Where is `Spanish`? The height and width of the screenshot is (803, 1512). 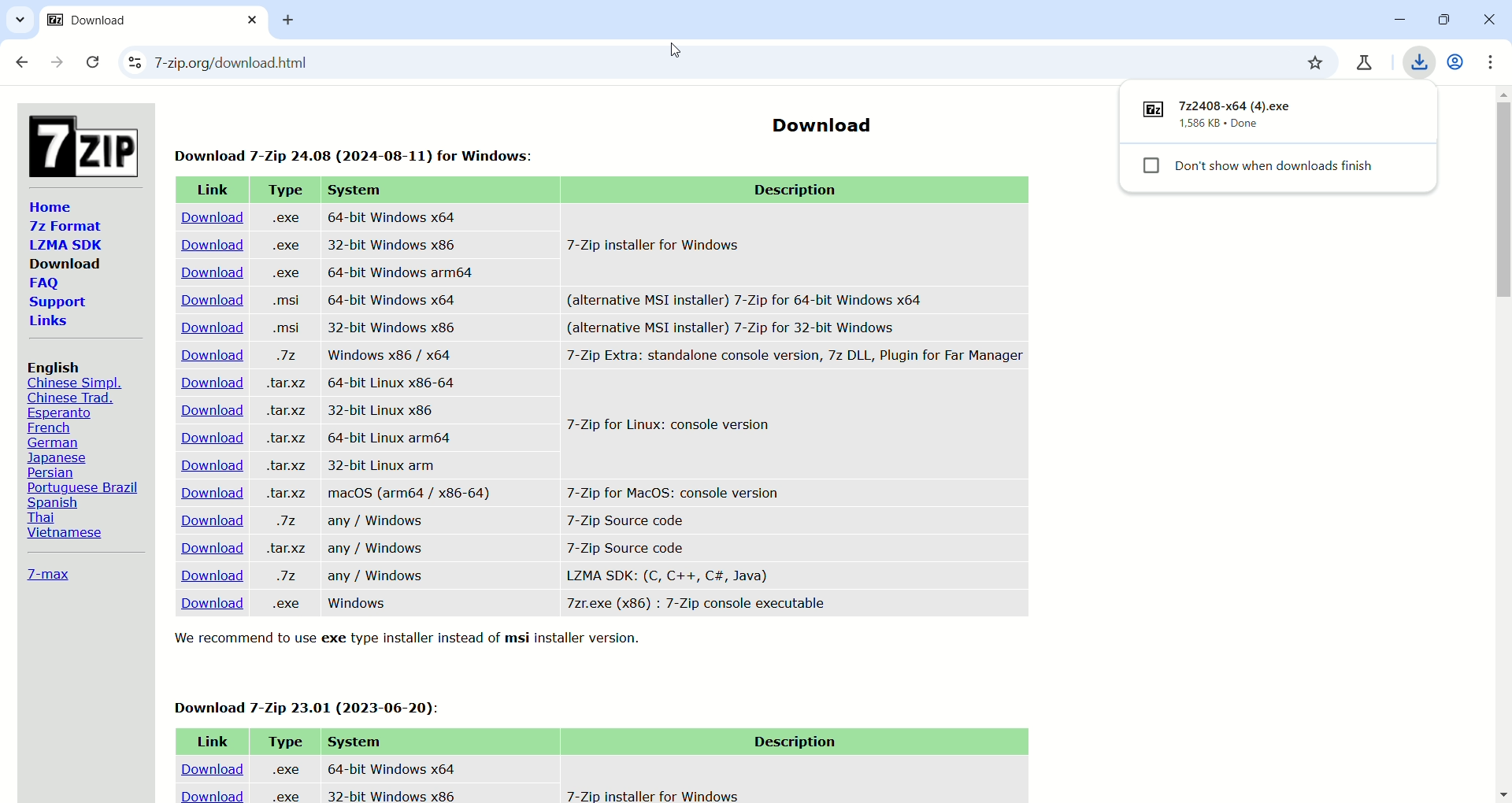 Spanish is located at coordinates (56, 502).